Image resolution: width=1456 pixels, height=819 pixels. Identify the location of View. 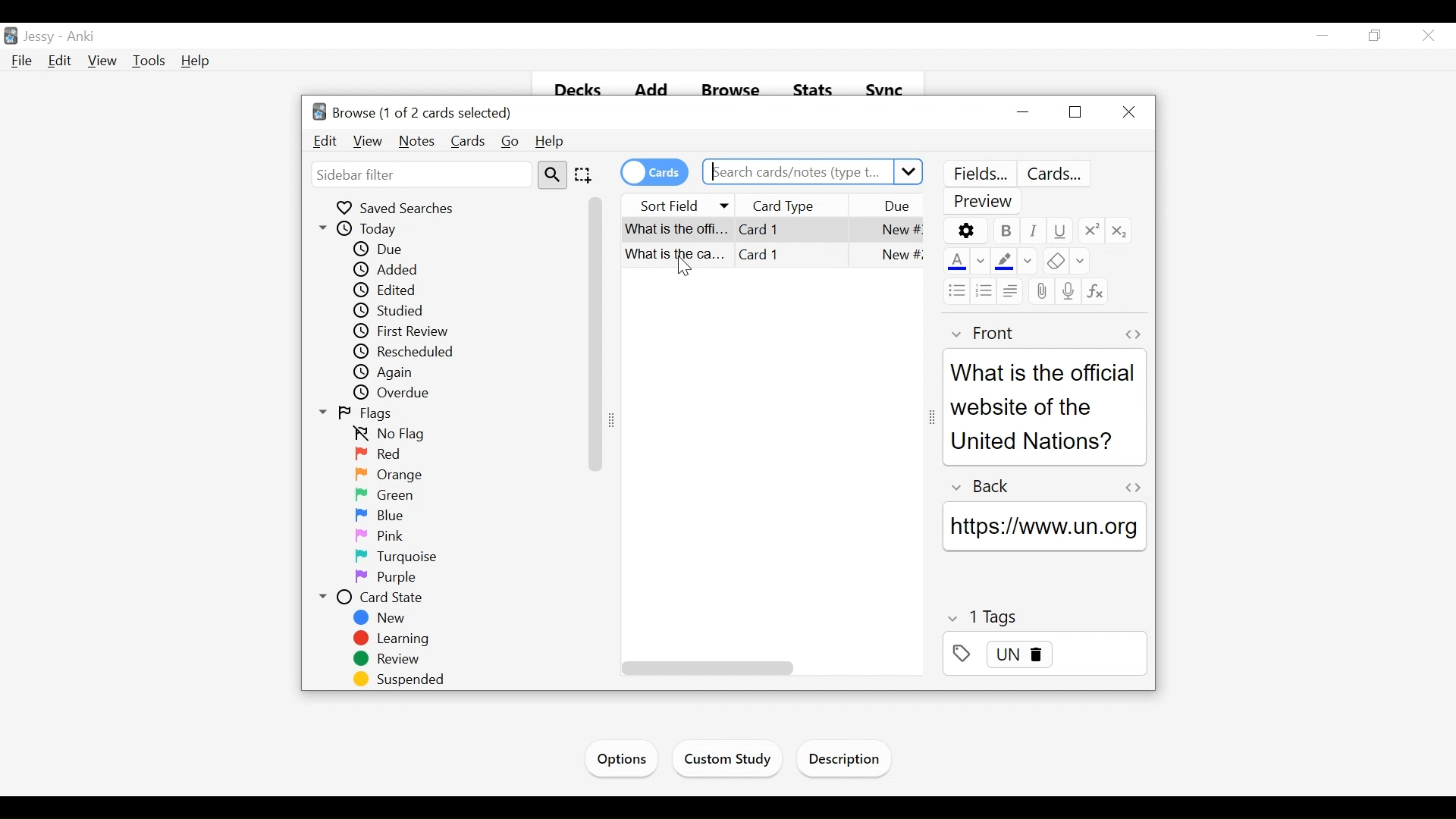
(367, 141).